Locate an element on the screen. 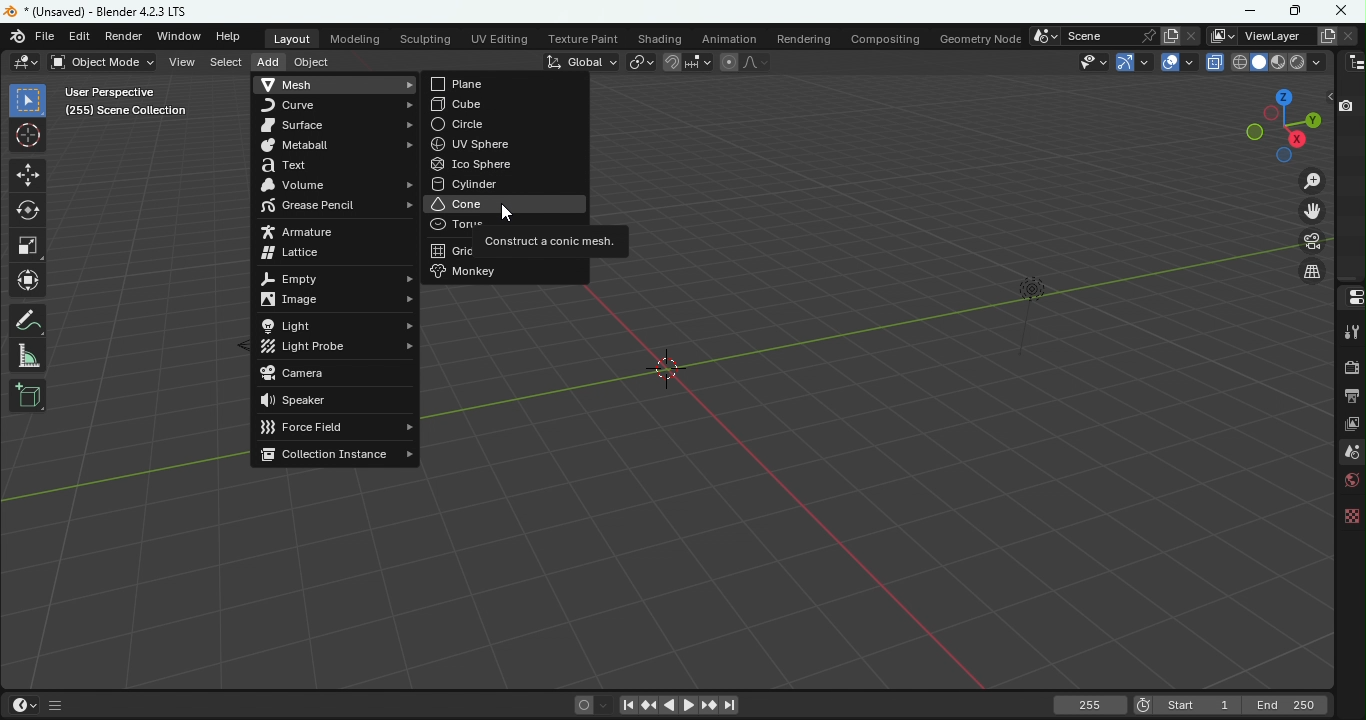  Sets the object interaction mode is located at coordinates (100, 62).